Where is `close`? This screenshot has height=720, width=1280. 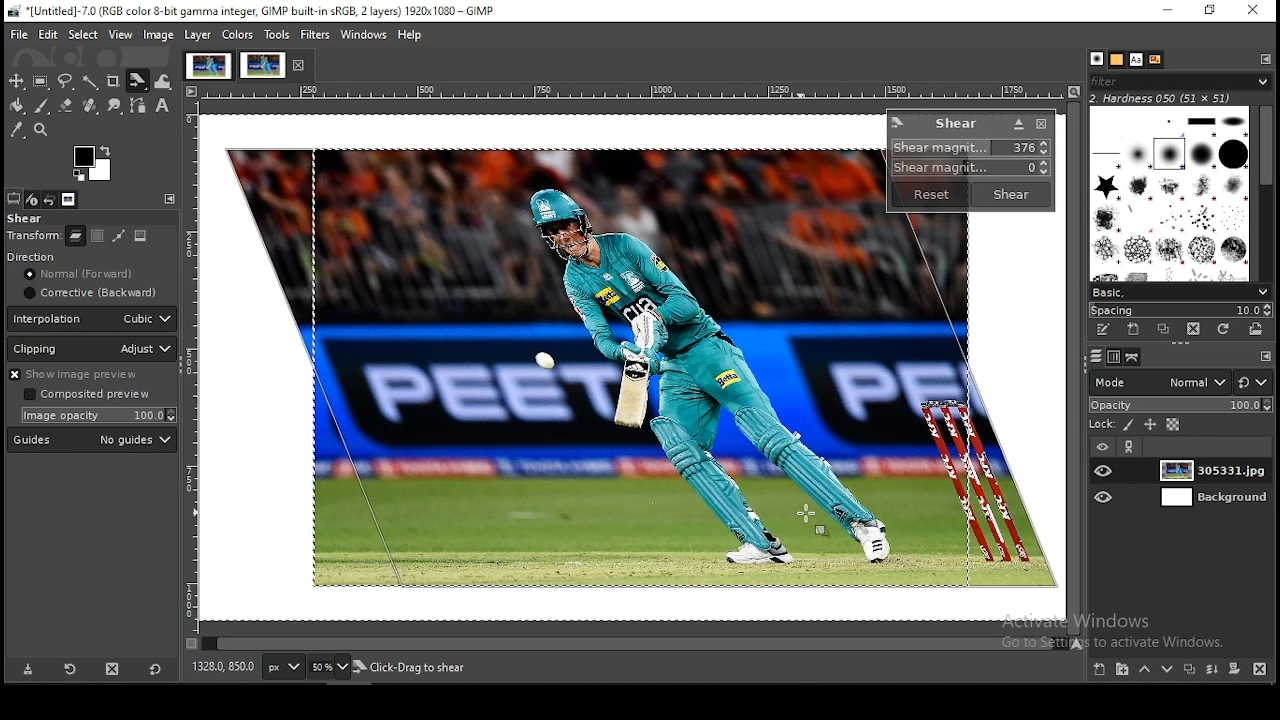 close is located at coordinates (1041, 126).